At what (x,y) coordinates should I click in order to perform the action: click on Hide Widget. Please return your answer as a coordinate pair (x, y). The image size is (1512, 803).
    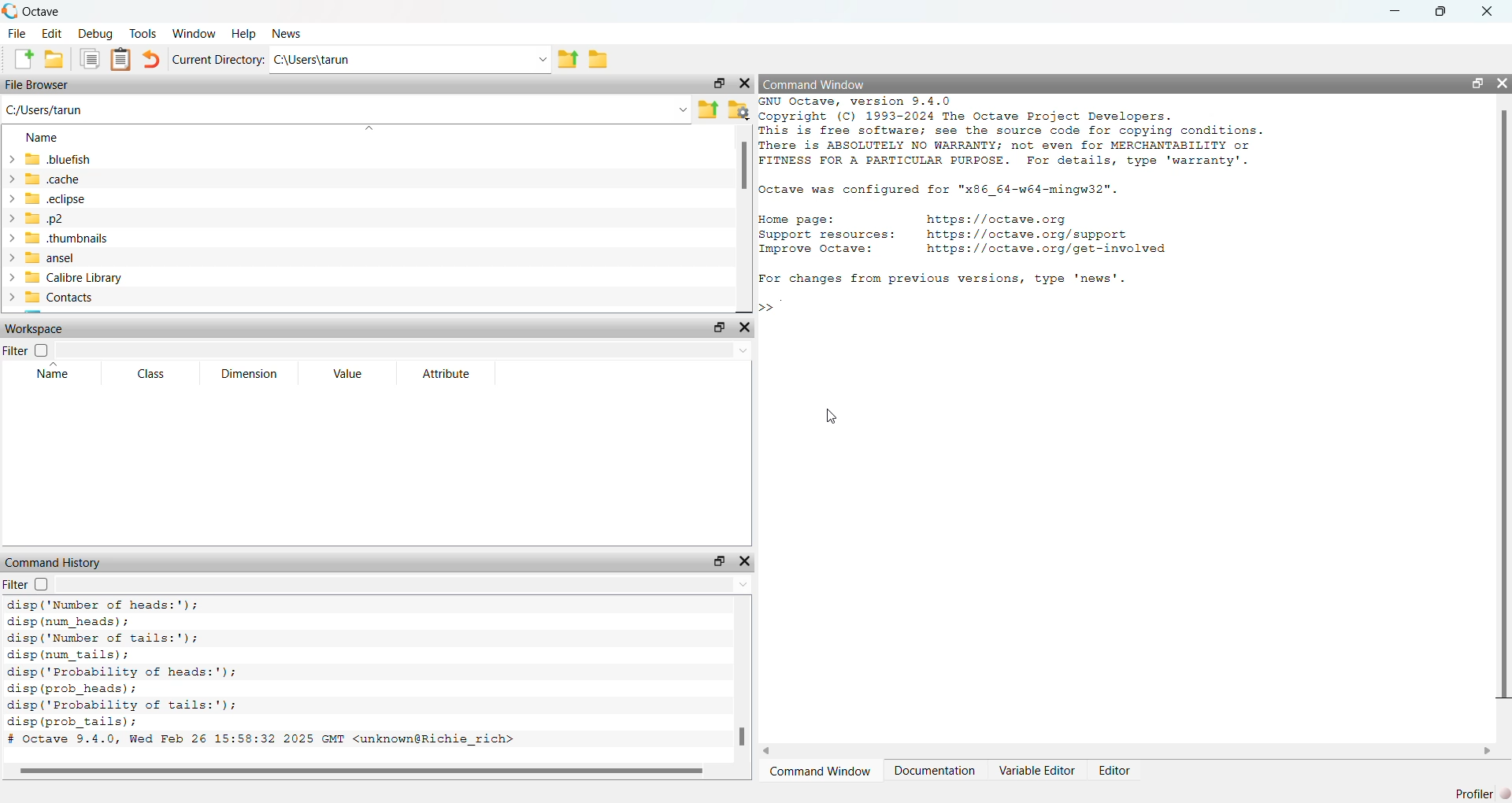
    Looking at the image, I should click on (743, 327).